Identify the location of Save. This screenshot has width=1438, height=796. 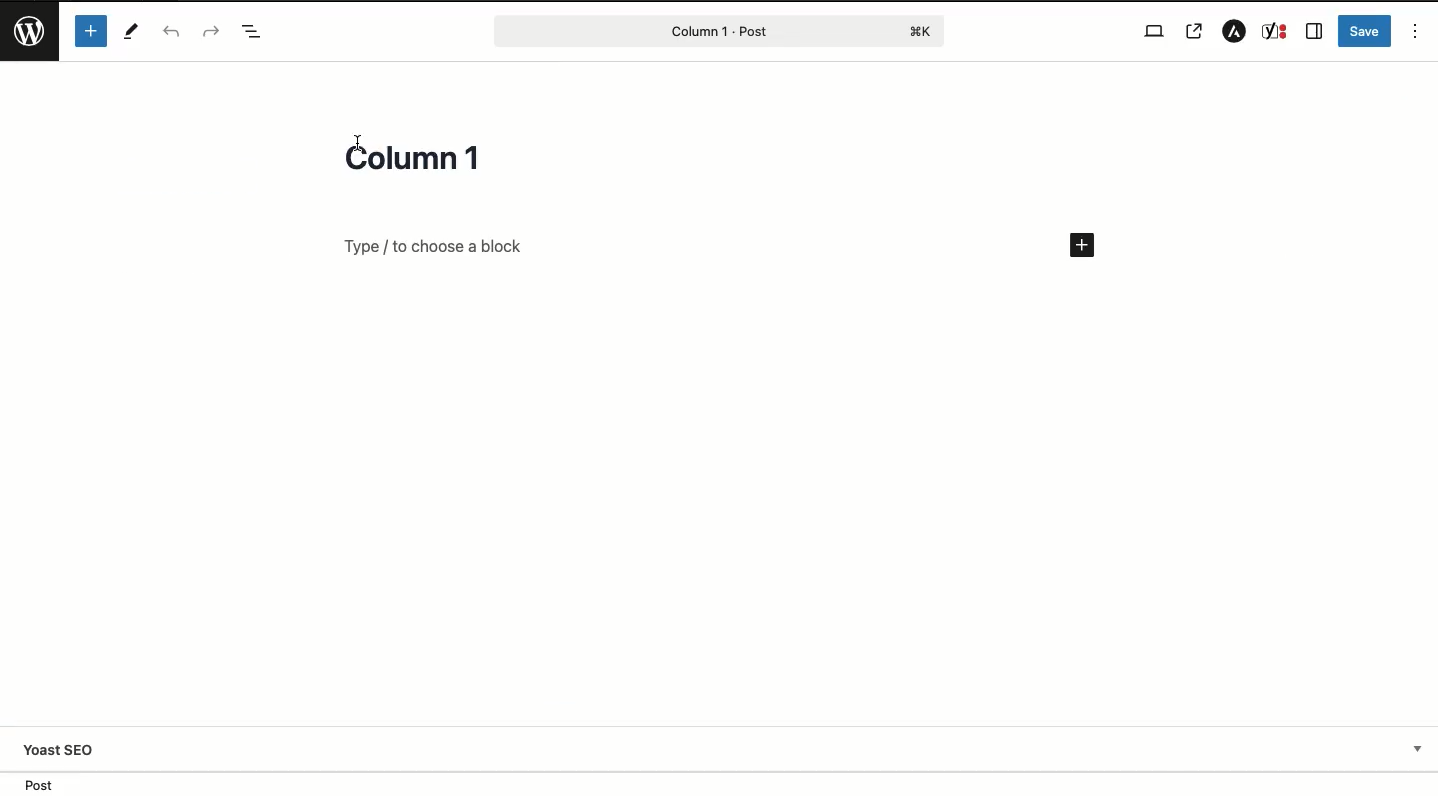
(1365, 30).